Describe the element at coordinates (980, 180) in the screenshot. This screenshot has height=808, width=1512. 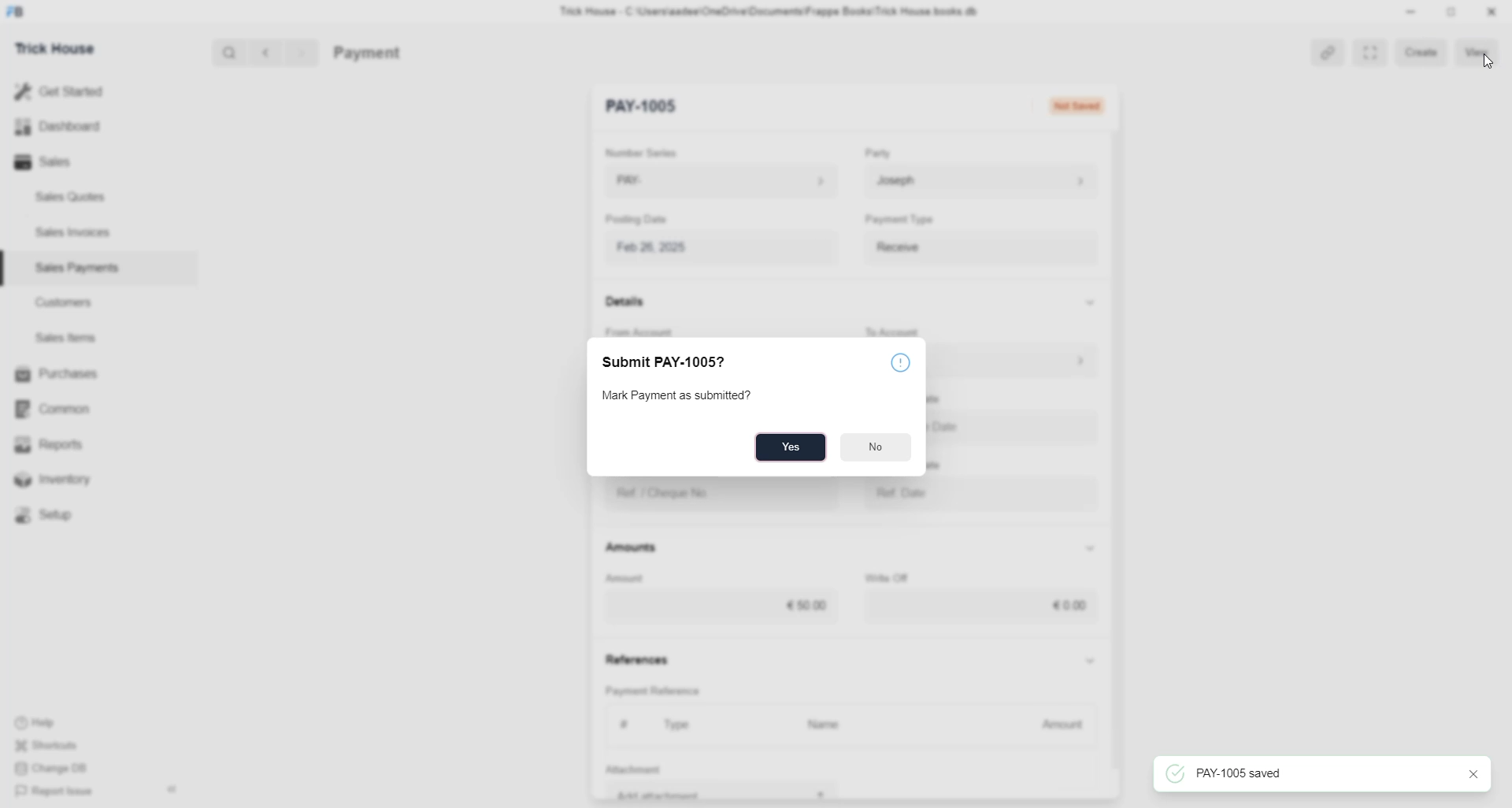
I see `Josep` at that location.